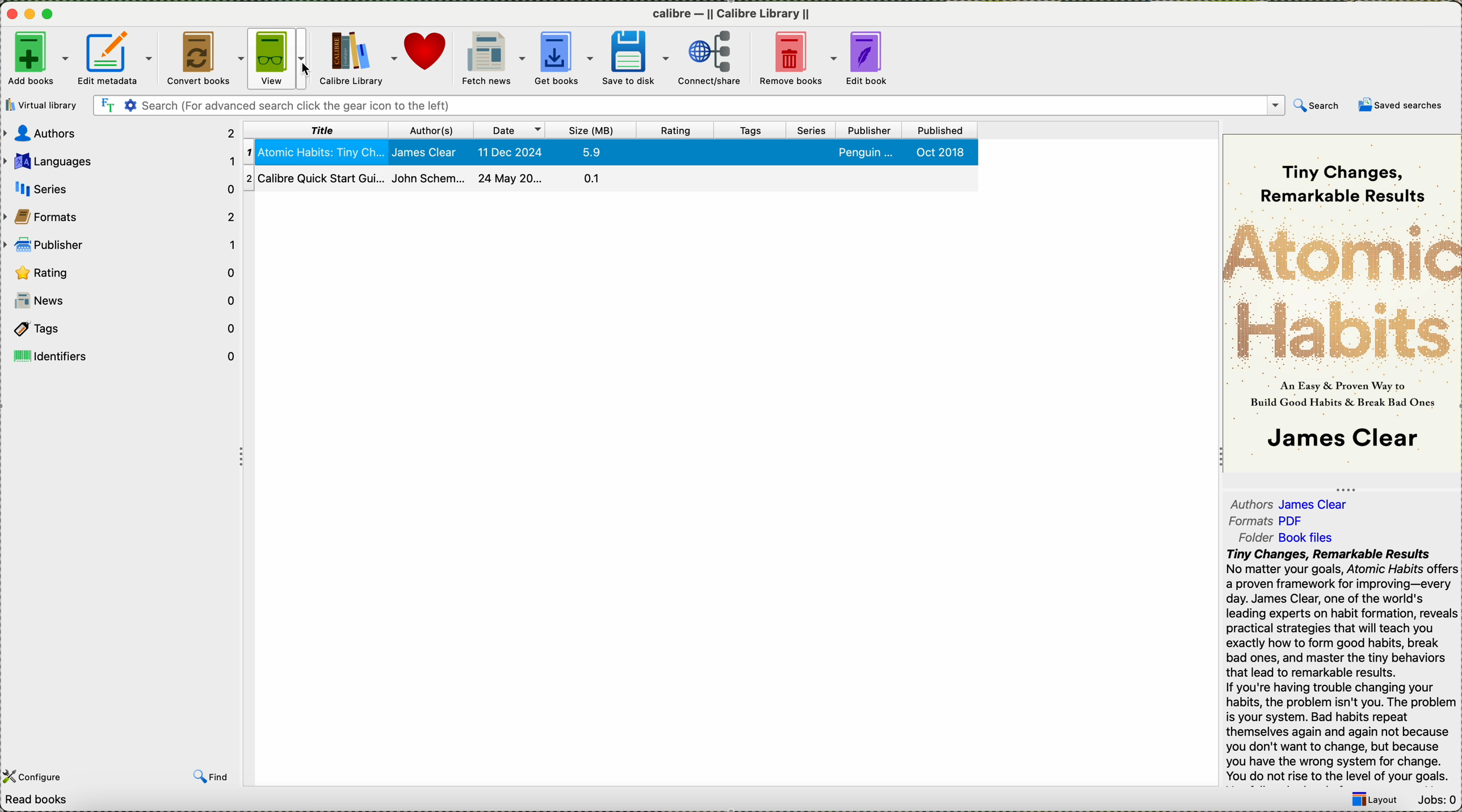  Describe the element at coordinates (35, 58) in the screenshot. I see `add books` at that location.